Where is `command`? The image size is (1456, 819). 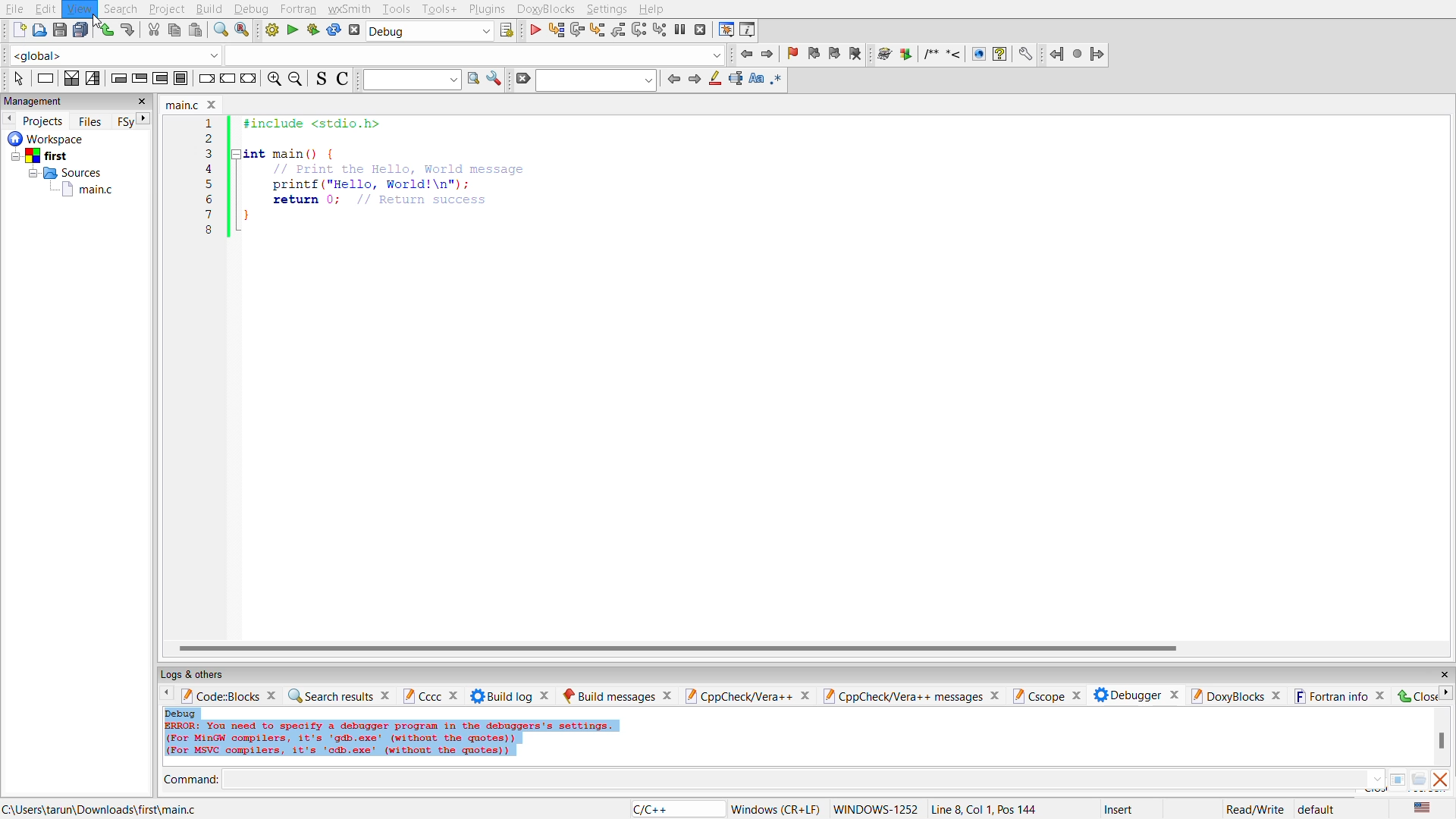
command is located at coordinates (192, 779).